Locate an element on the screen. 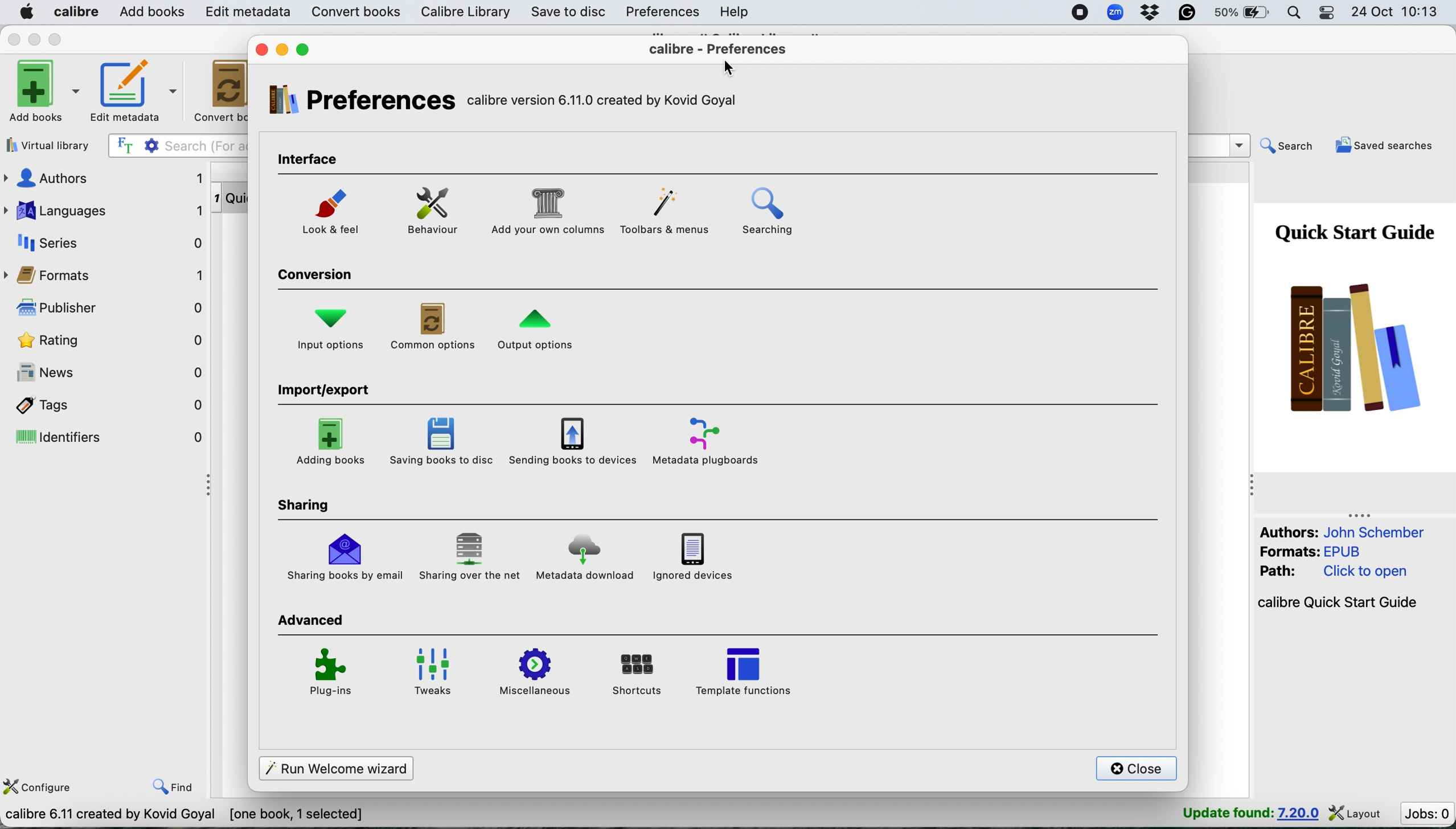 This screenshot has height=829, width=1456. common options is located at coordinates (430, 326).